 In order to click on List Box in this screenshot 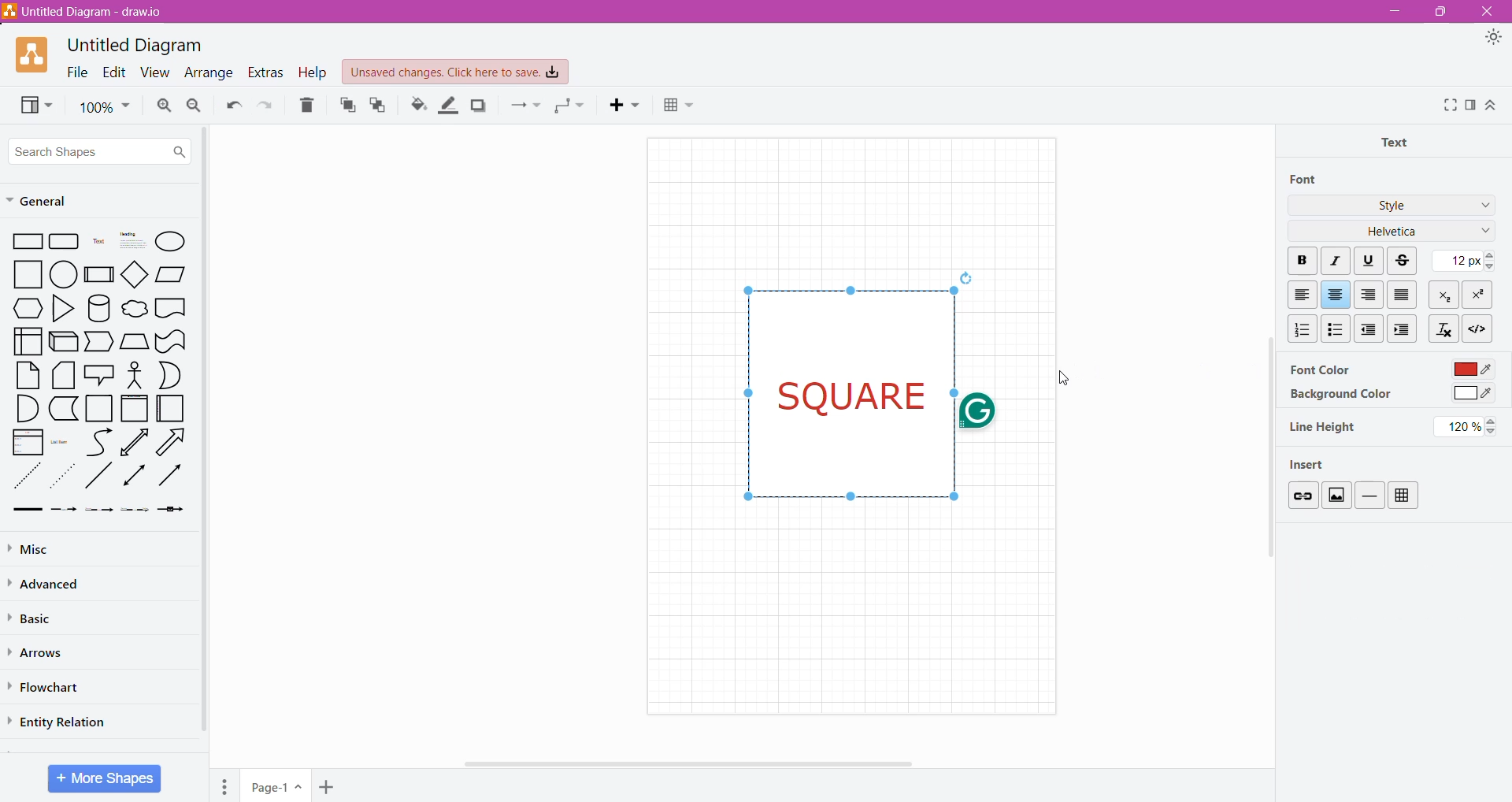, I will do `click(26, 442)`.